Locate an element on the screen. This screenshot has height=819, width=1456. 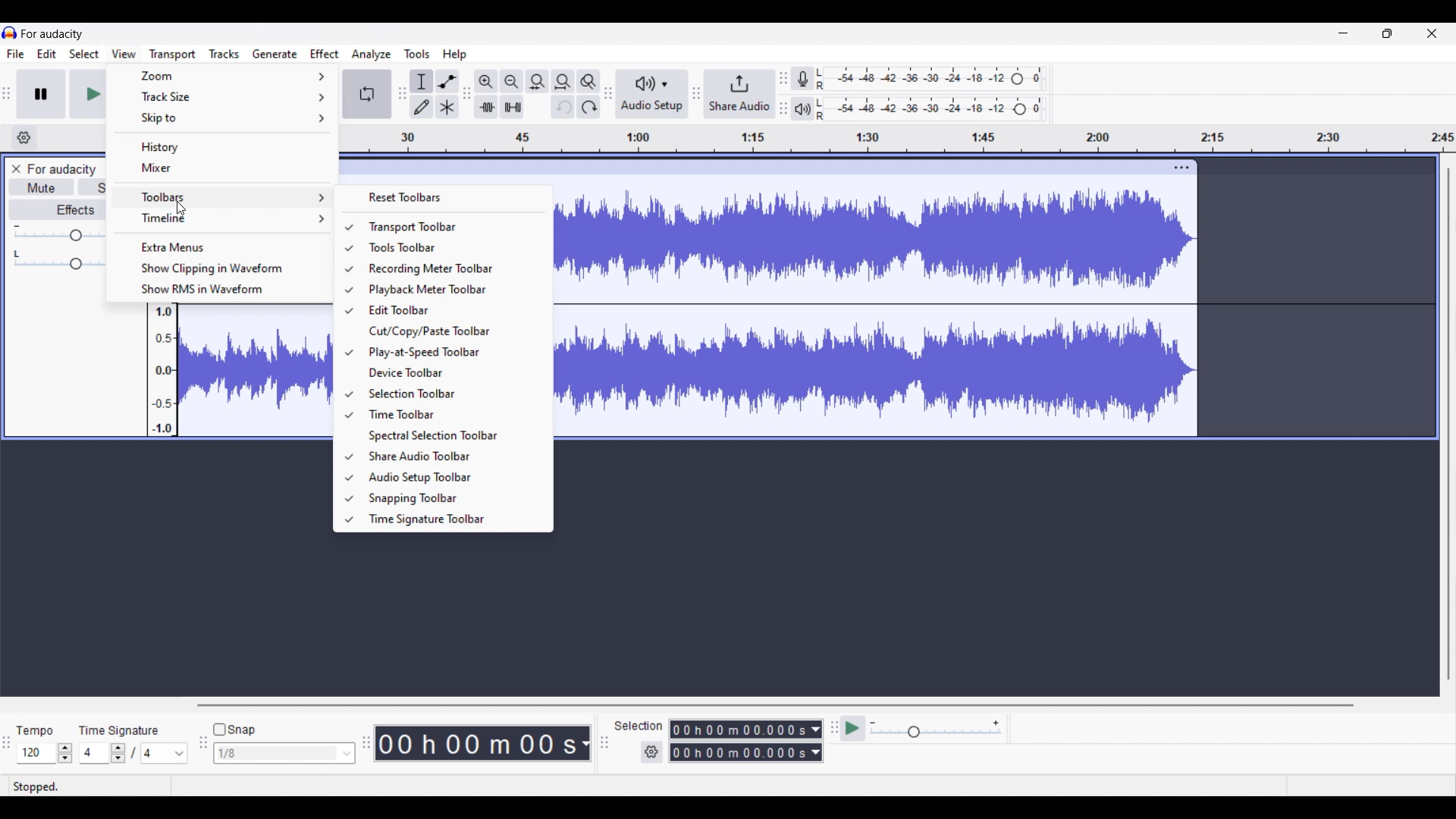
Share audio toolbar is located at coordinates (453, 456).